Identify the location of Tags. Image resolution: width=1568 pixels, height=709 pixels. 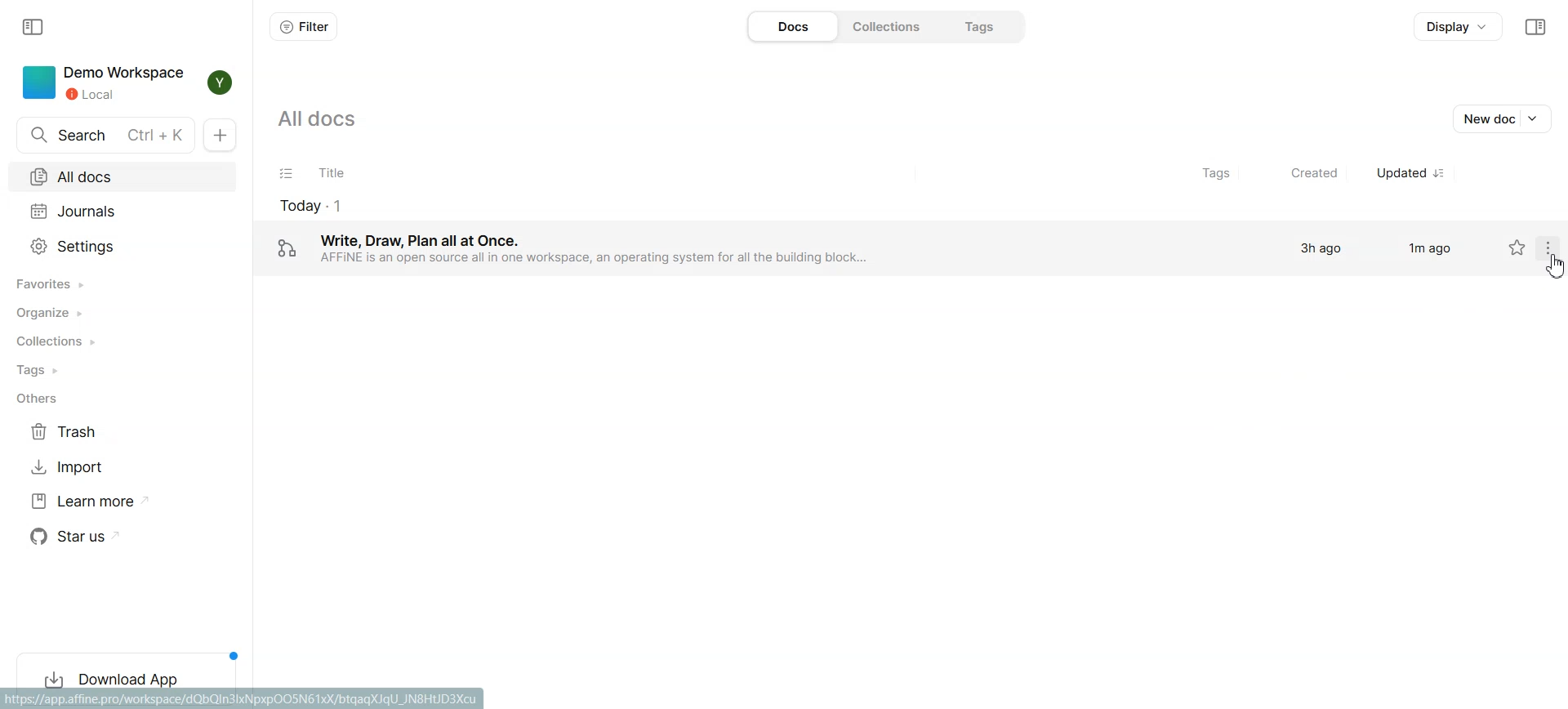
(122, 371).